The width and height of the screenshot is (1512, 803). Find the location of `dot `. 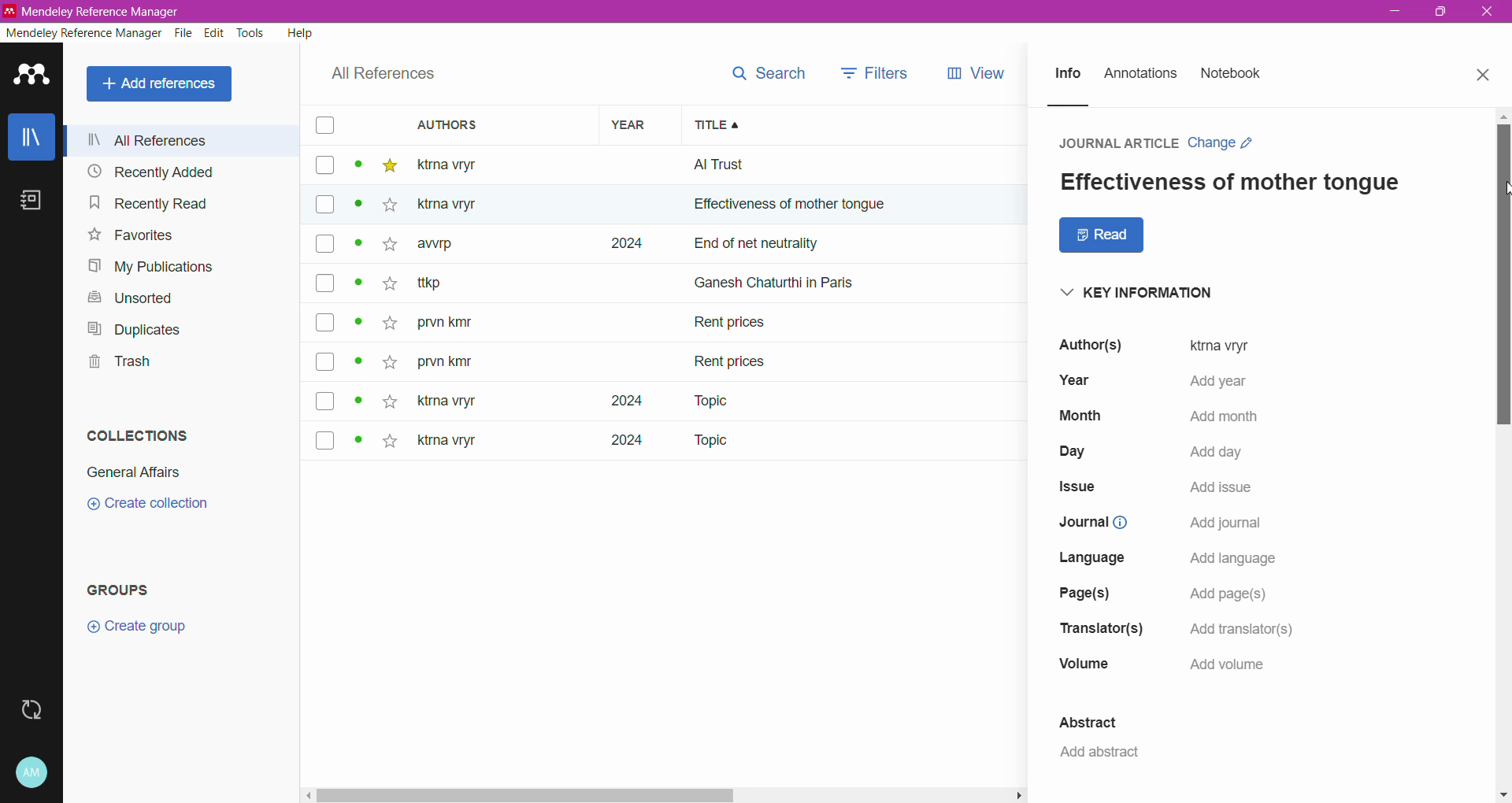

dot  is located at coordinates (358, 248).